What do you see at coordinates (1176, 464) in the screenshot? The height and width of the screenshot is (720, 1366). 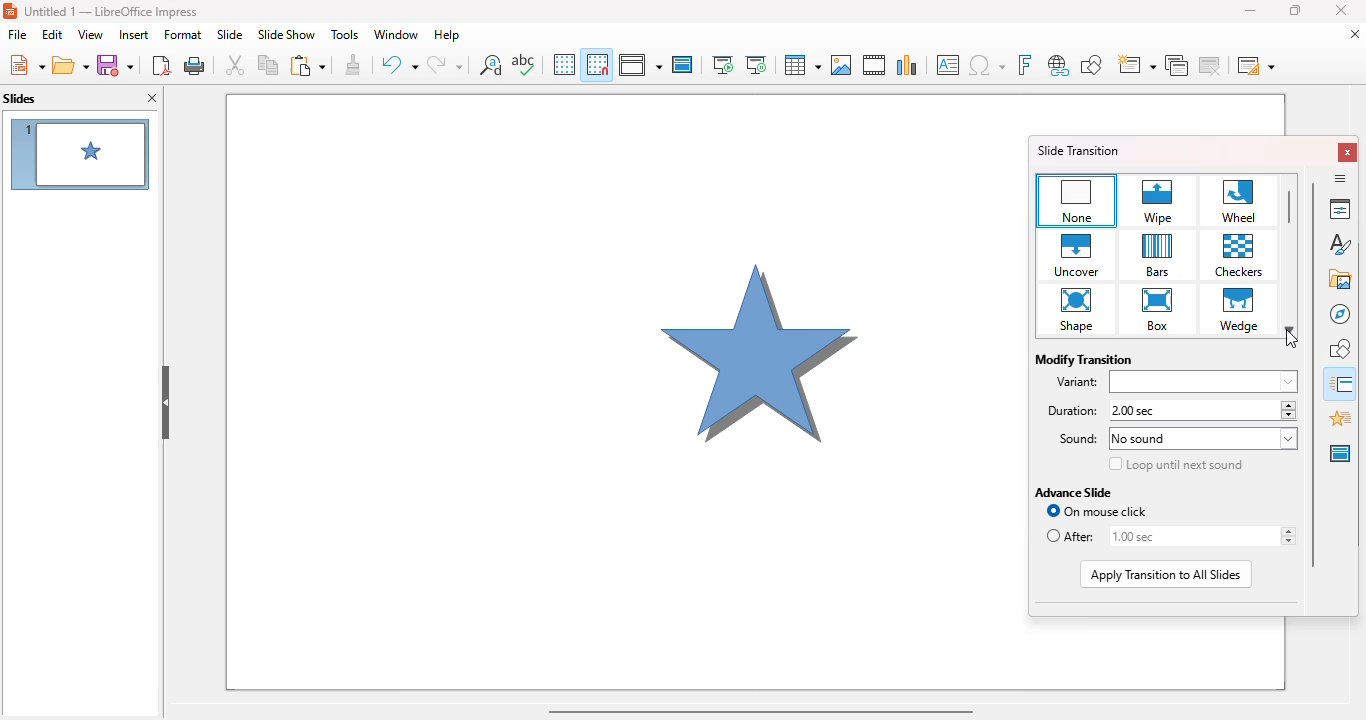 I see `loop until next sound` at bounding box center [1176, 464].